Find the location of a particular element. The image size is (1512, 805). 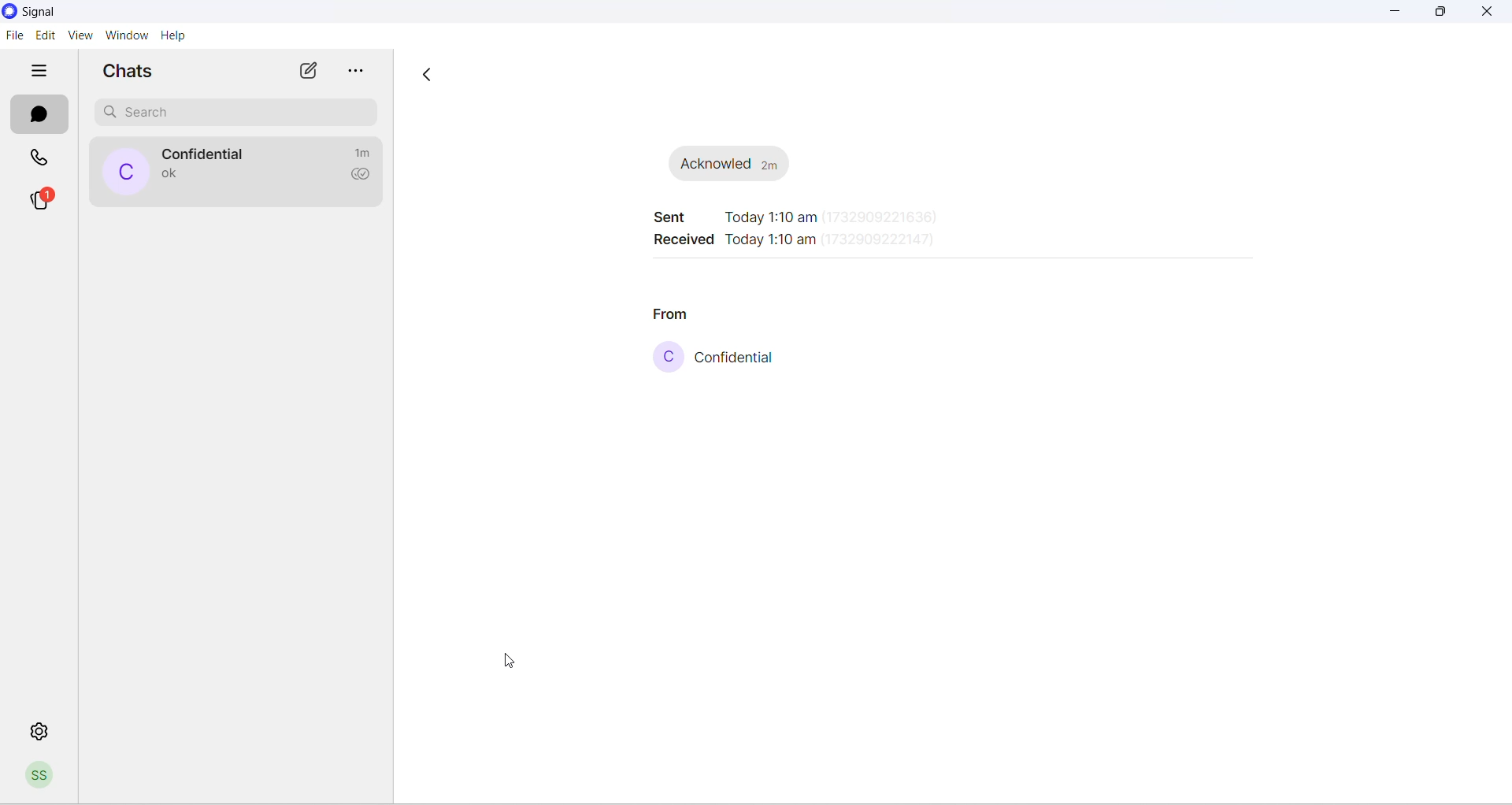

minimize is located at coordinates (1393, 13).